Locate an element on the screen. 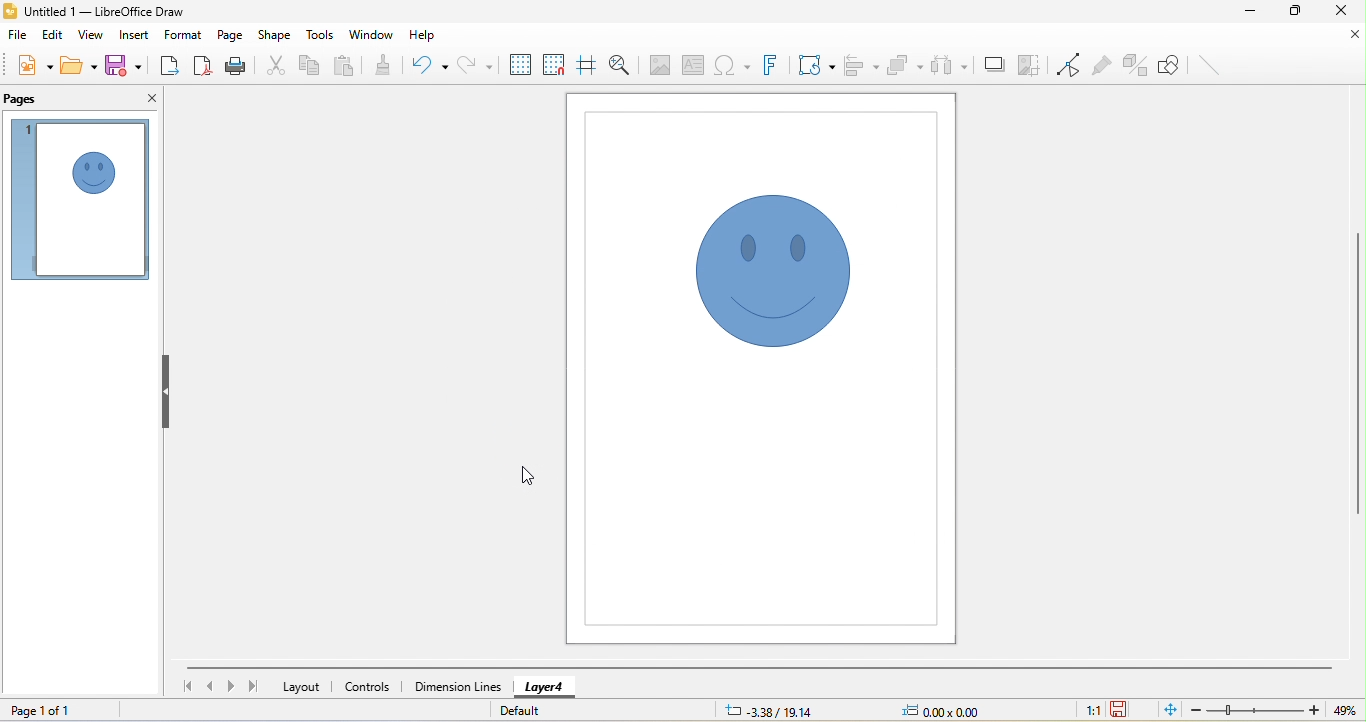 Image resolution: width=1366 pixels, height=722 pixels. window is located at coordinates (373, 33).